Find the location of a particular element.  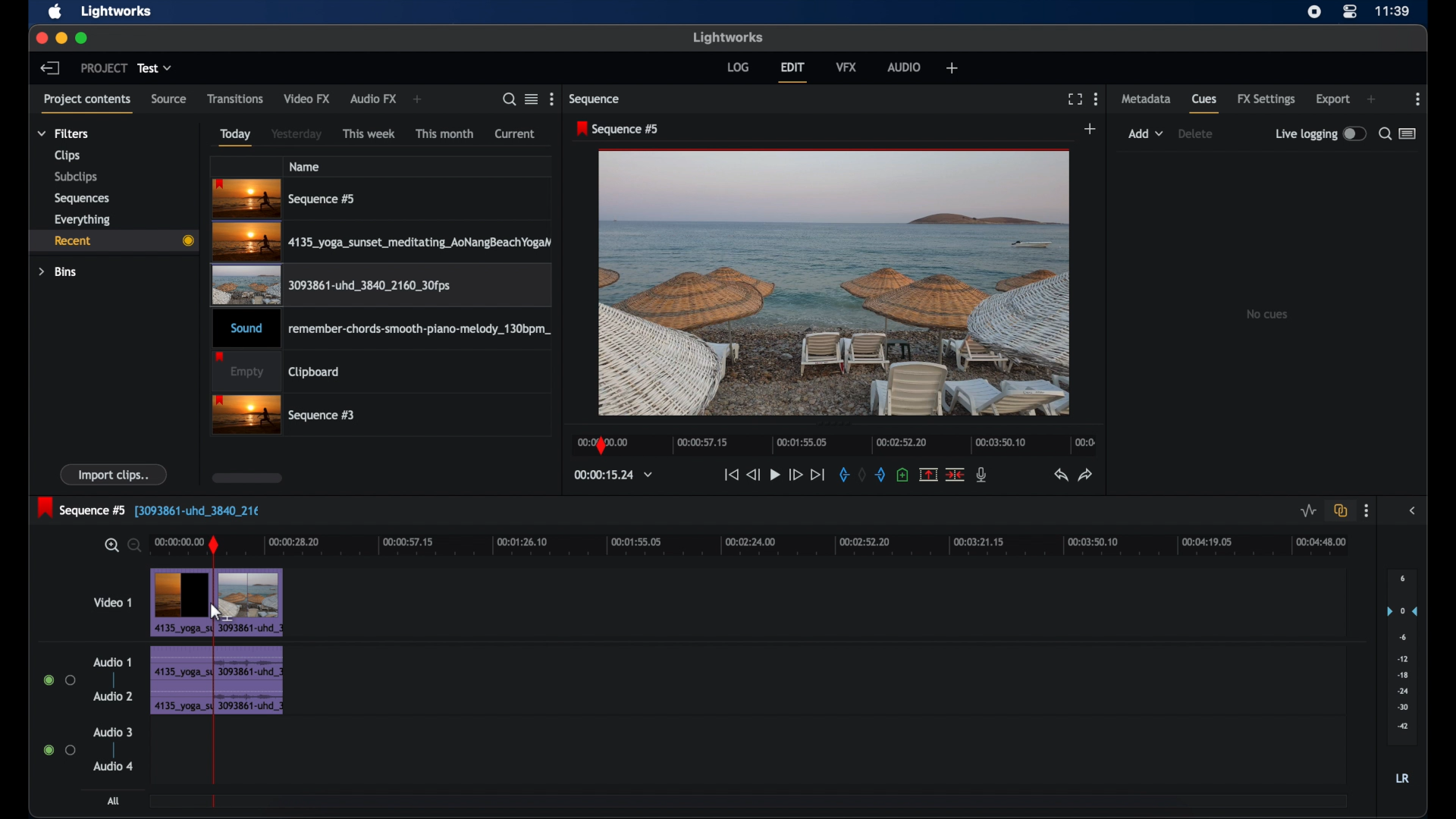

video clip is located at coordinates (253, 601).